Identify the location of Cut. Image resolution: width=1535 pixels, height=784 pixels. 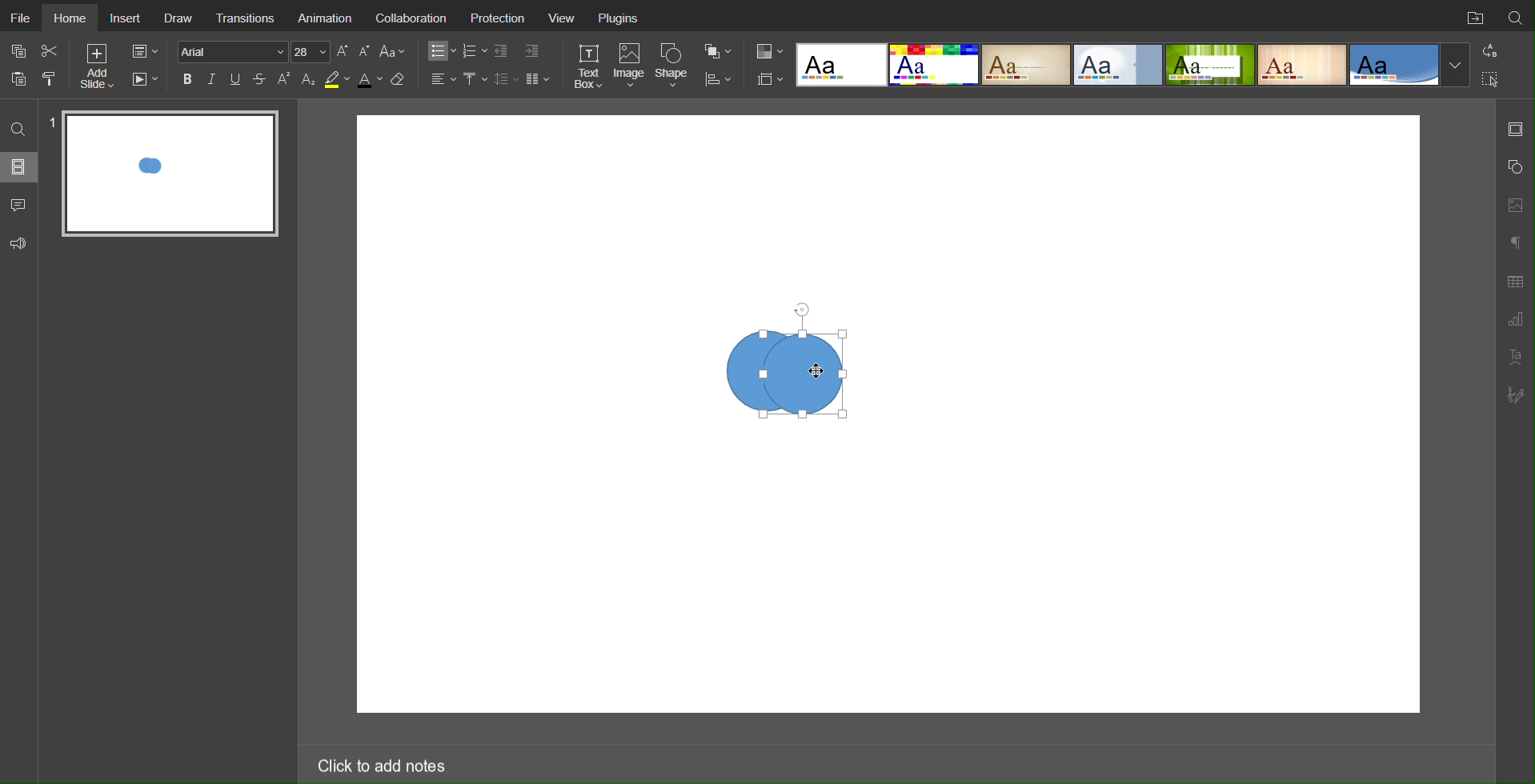
(51, 50).